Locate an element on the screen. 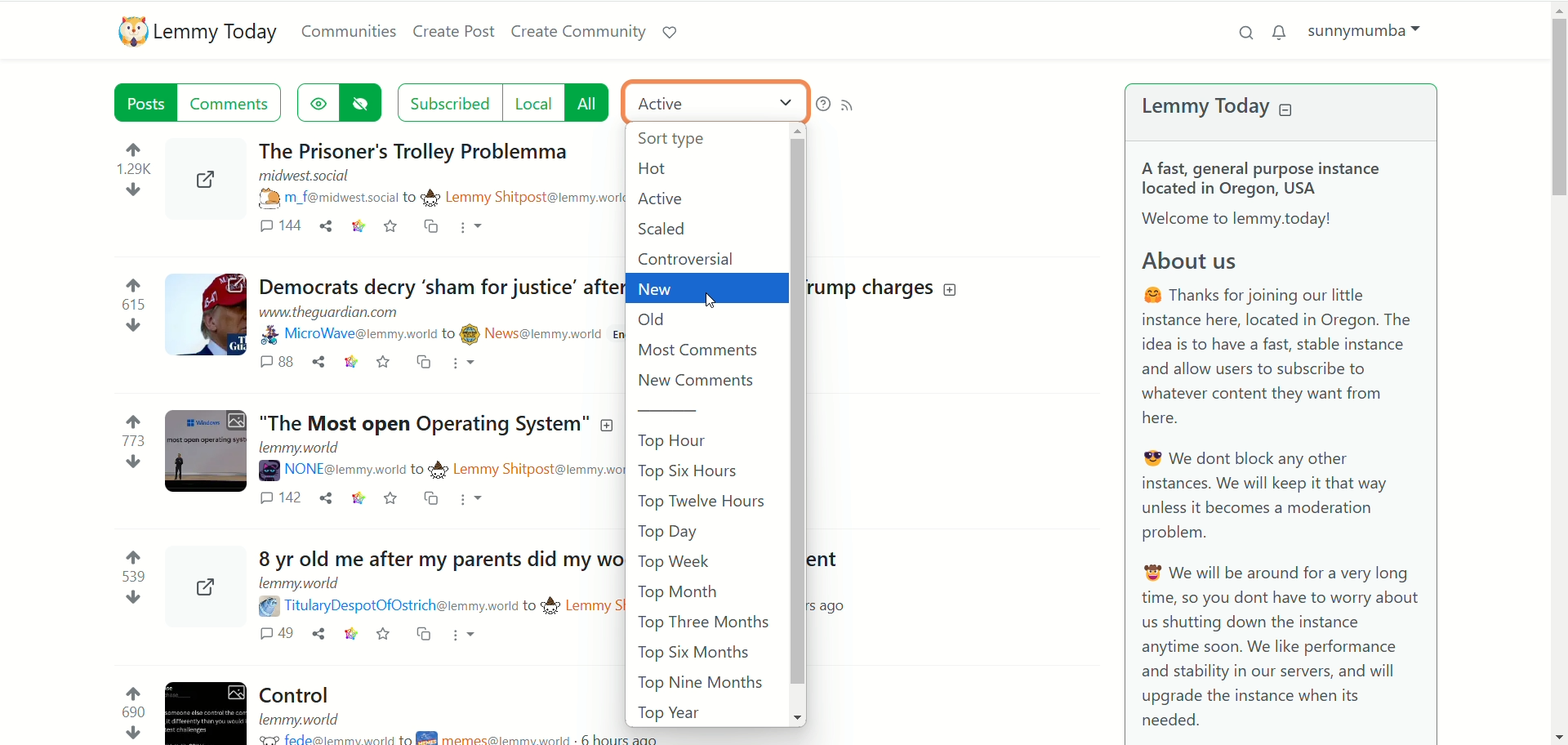  lemmy.world is located at coordinates (305, 718).